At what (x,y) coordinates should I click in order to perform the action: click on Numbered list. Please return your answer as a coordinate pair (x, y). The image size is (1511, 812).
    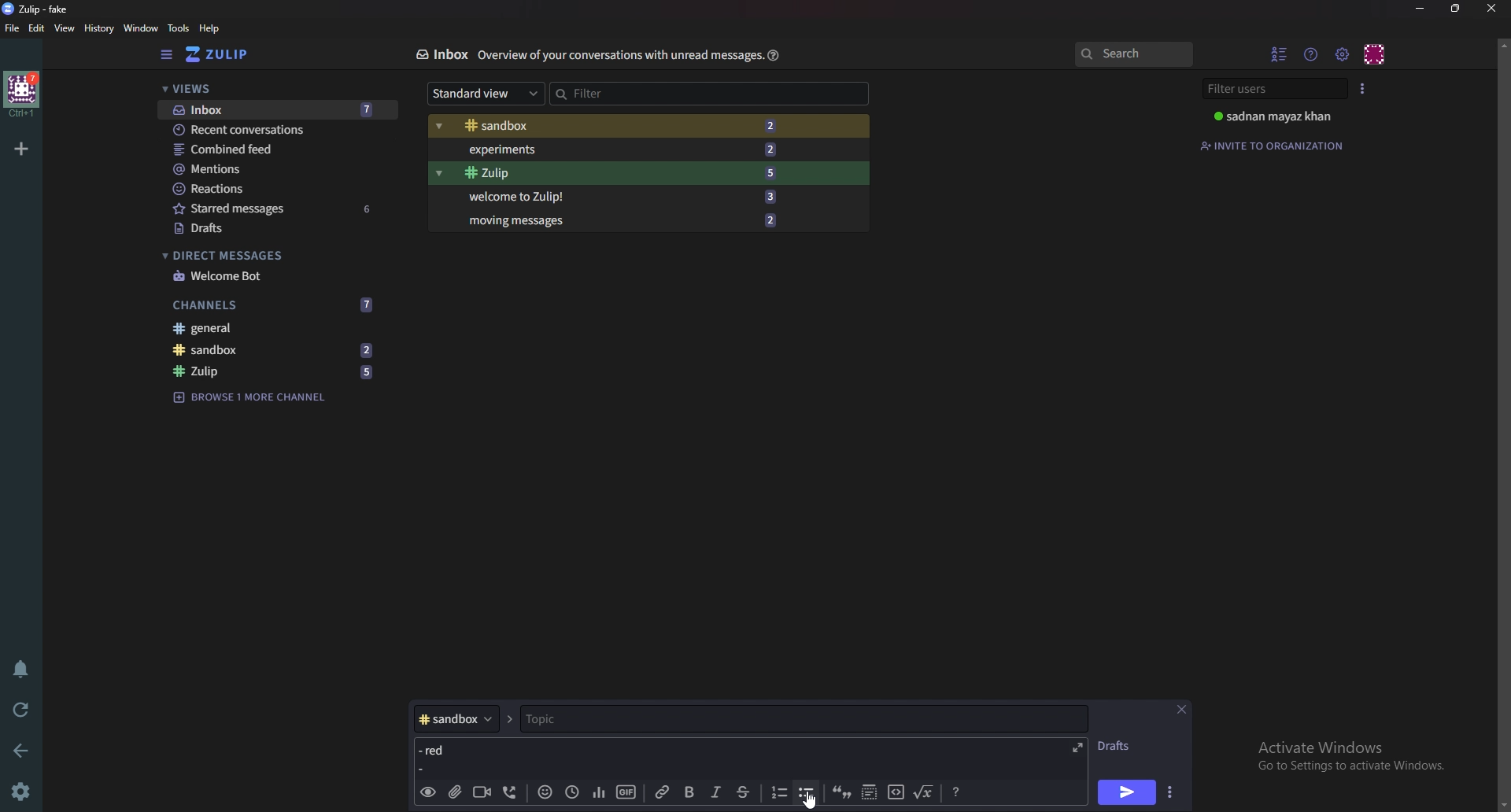
    Looking at the image, I should click on (778, 792).